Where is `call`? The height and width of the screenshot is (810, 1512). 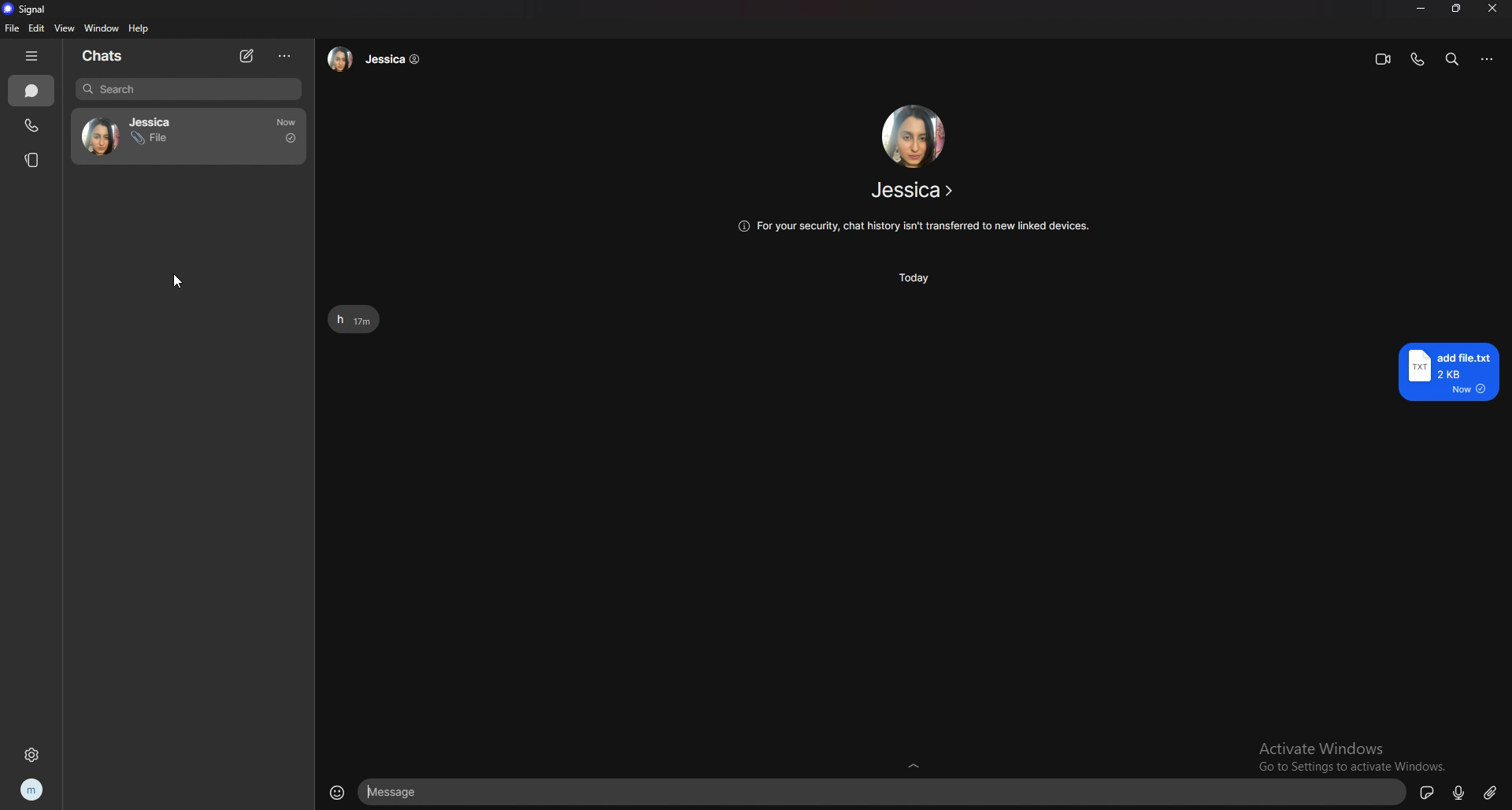
call is located at coordinates (32, 124).